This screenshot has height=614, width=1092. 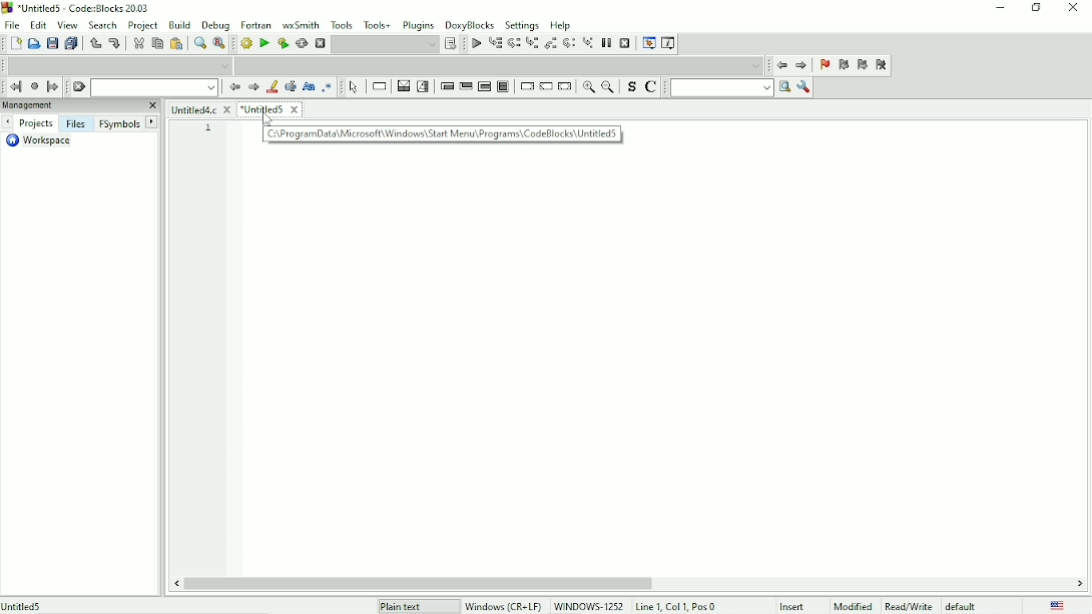 What do you see at coordinates (962, 606) in the screenshot?
I see `defualt` at bounding box center [962, 606].